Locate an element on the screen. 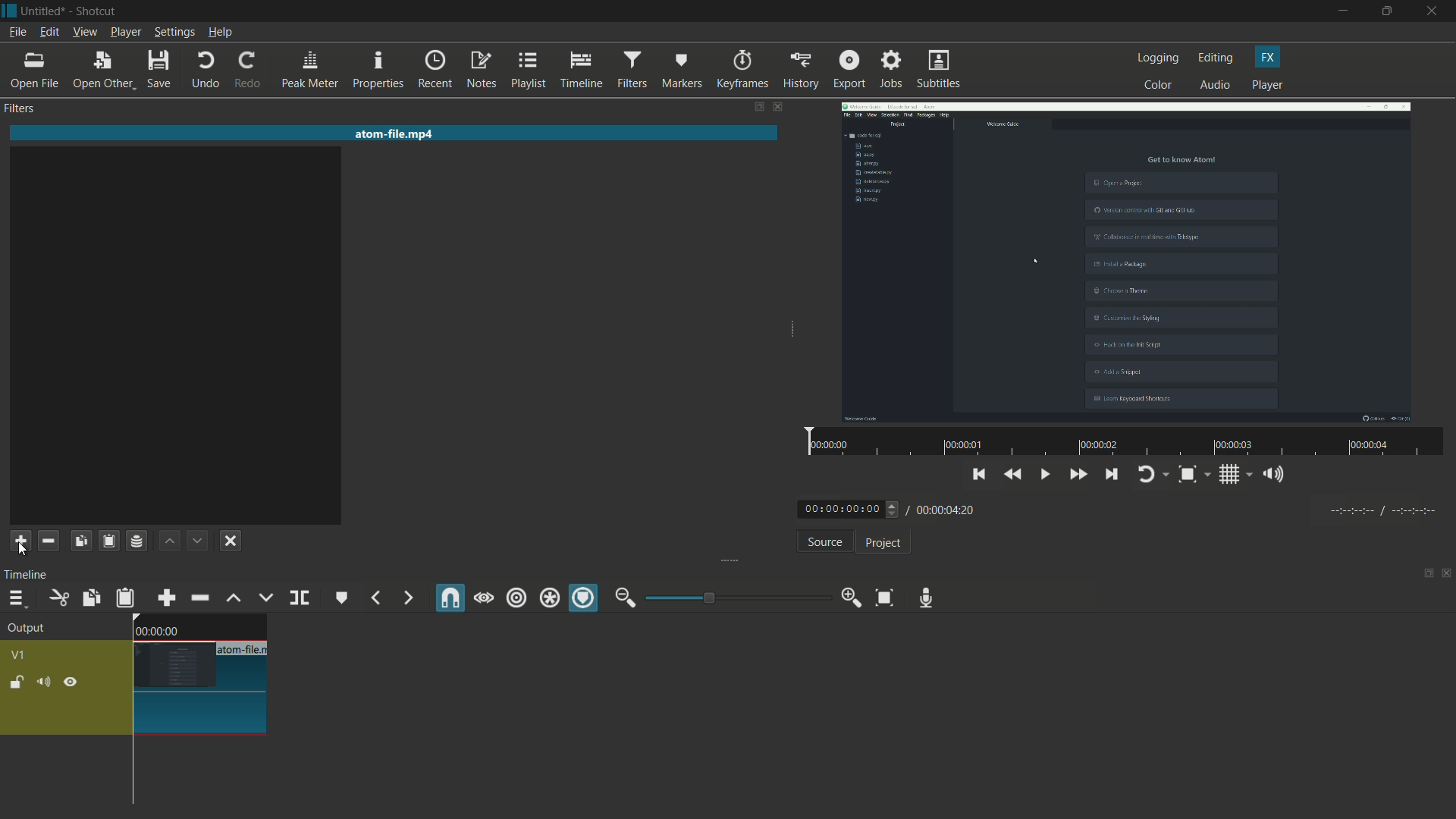  show the volume control is located at coordinates (1278, 475).